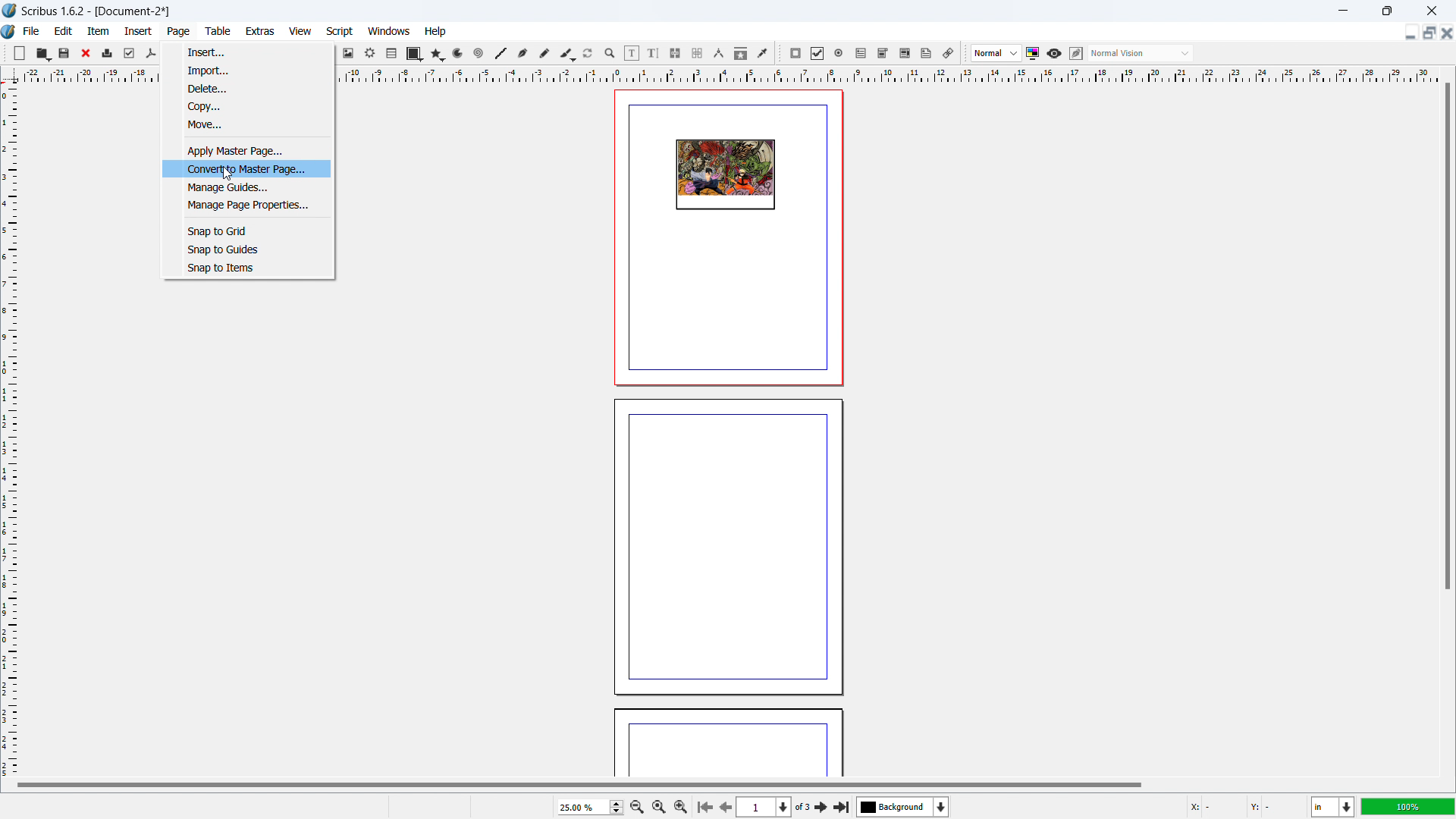 This screenshot has height=819, width=1456. Describe the element at coordinates (780, 54) in the screenshot. I see `move toolbox` at that location.